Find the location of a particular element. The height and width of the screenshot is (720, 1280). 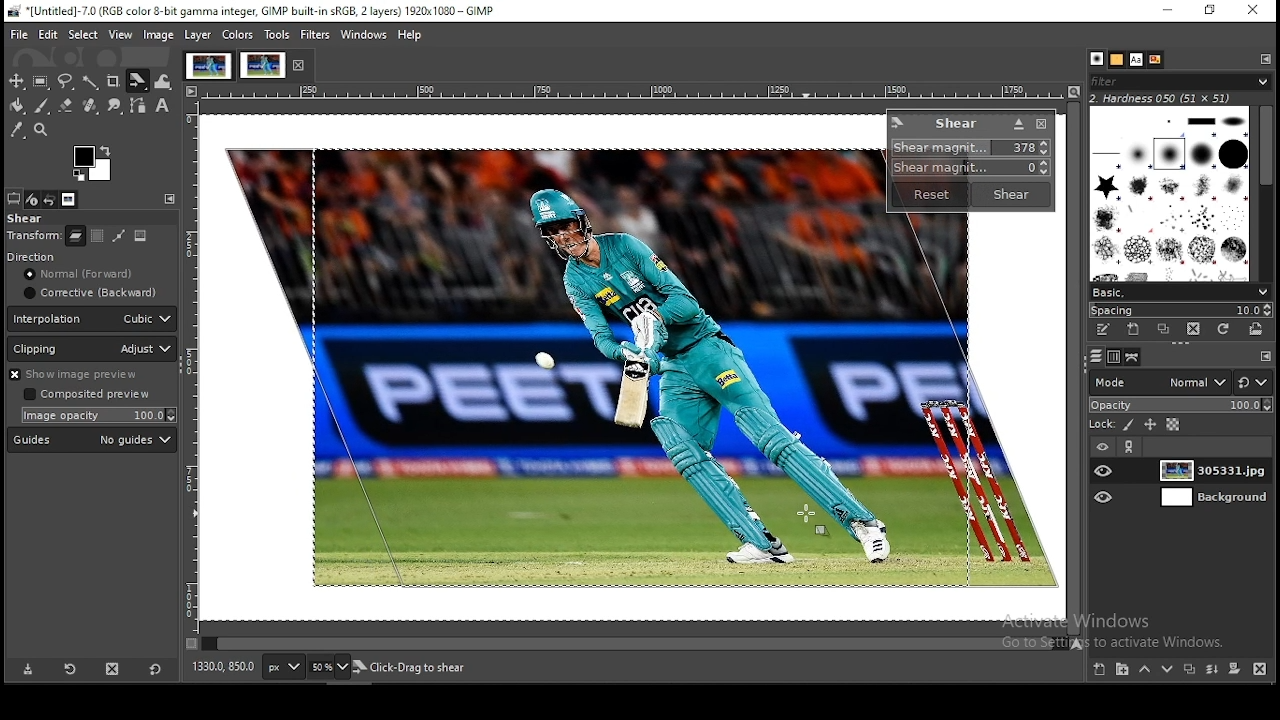

device status is located at coordinates (32, 200).